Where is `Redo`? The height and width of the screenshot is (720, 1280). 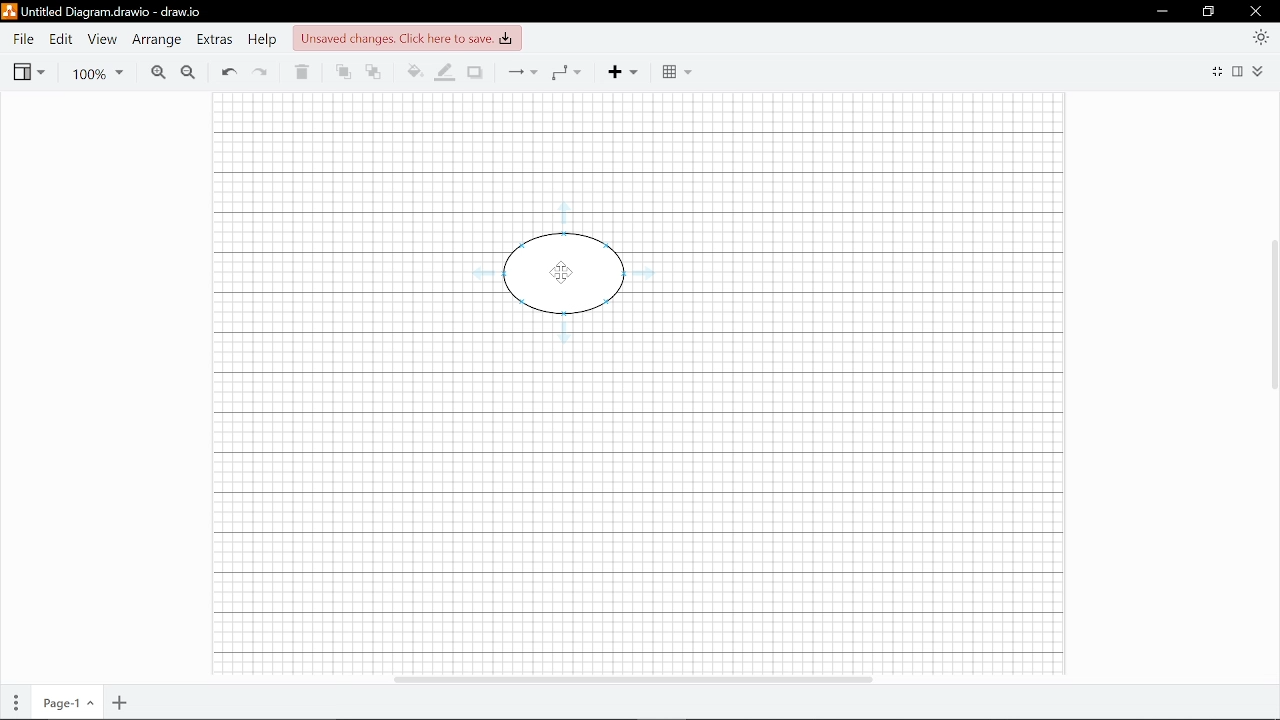 Redo is located at coordinates (261, 74).